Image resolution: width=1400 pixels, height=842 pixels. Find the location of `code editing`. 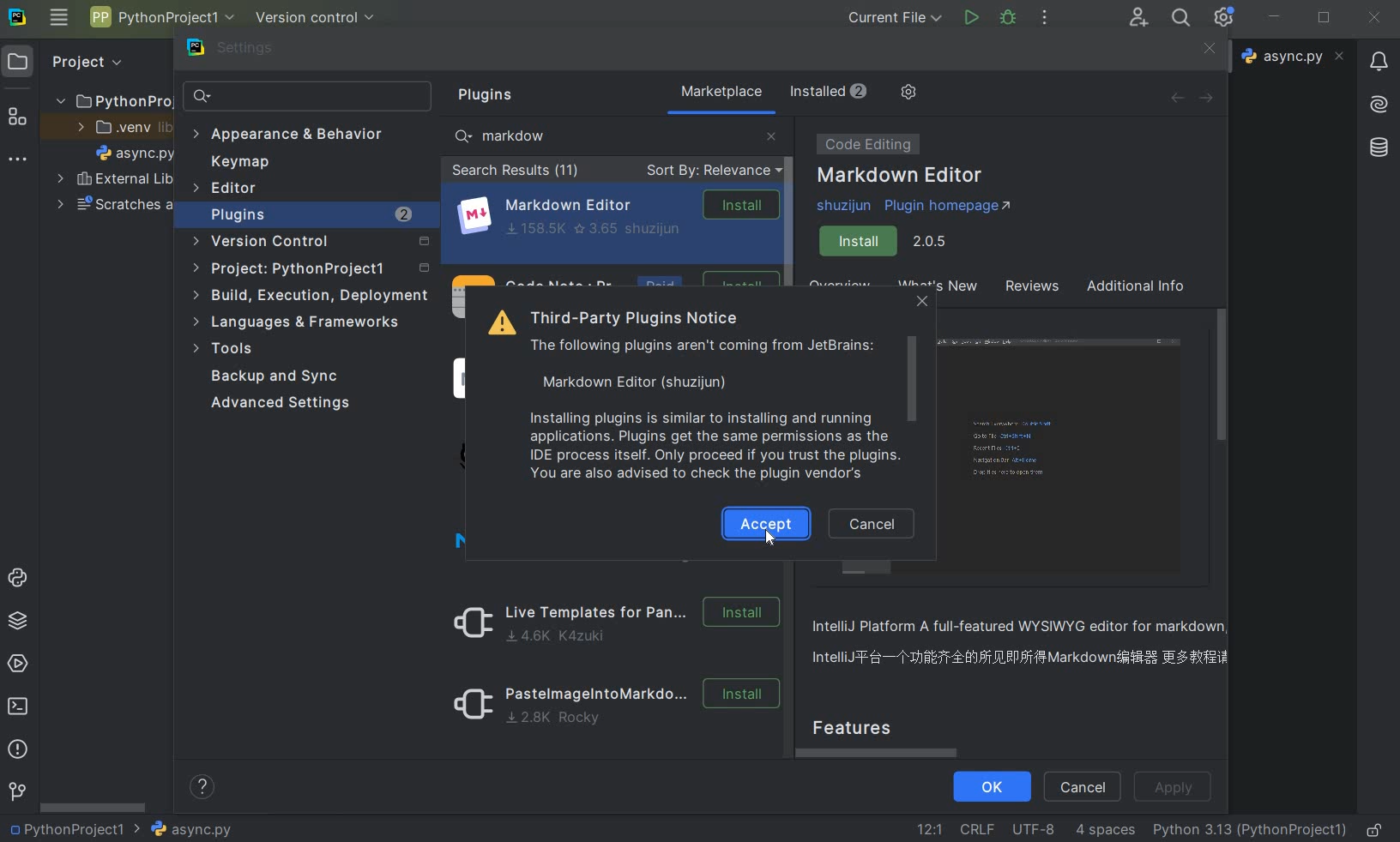

code editing is located at coordinates (865, 144).